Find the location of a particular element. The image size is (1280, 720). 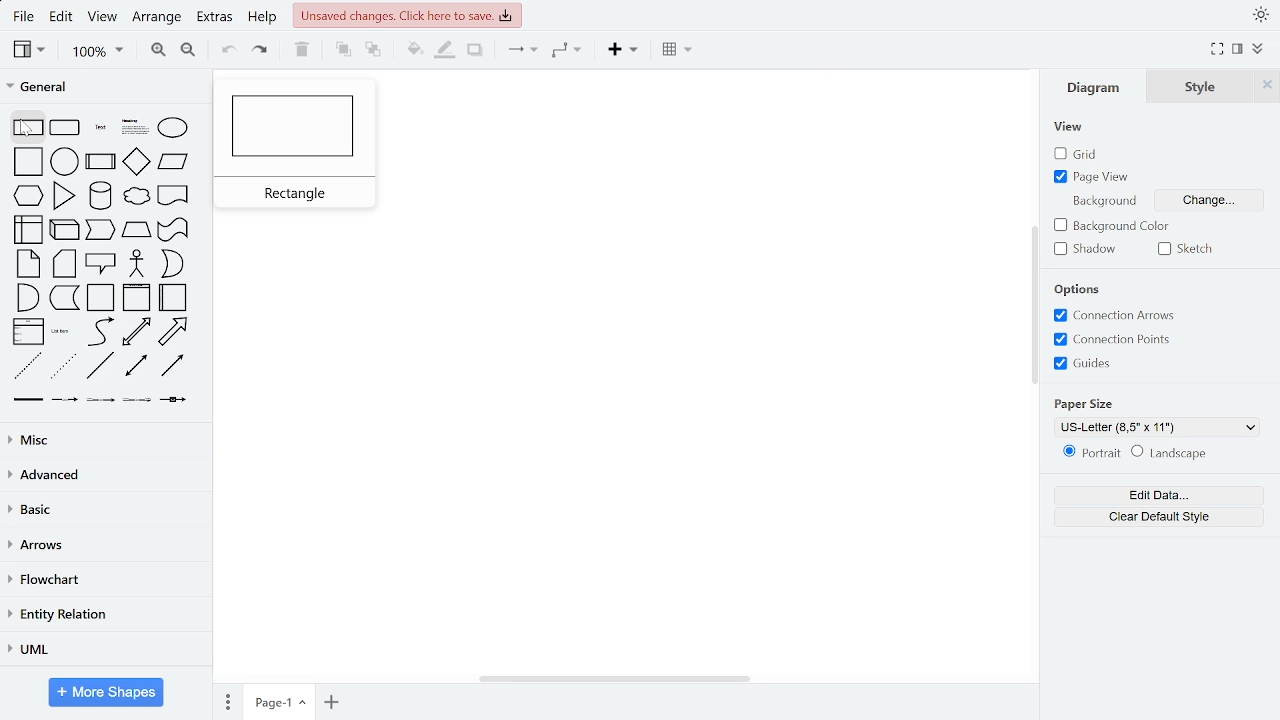

shadow is located at coordinates (475, 52).